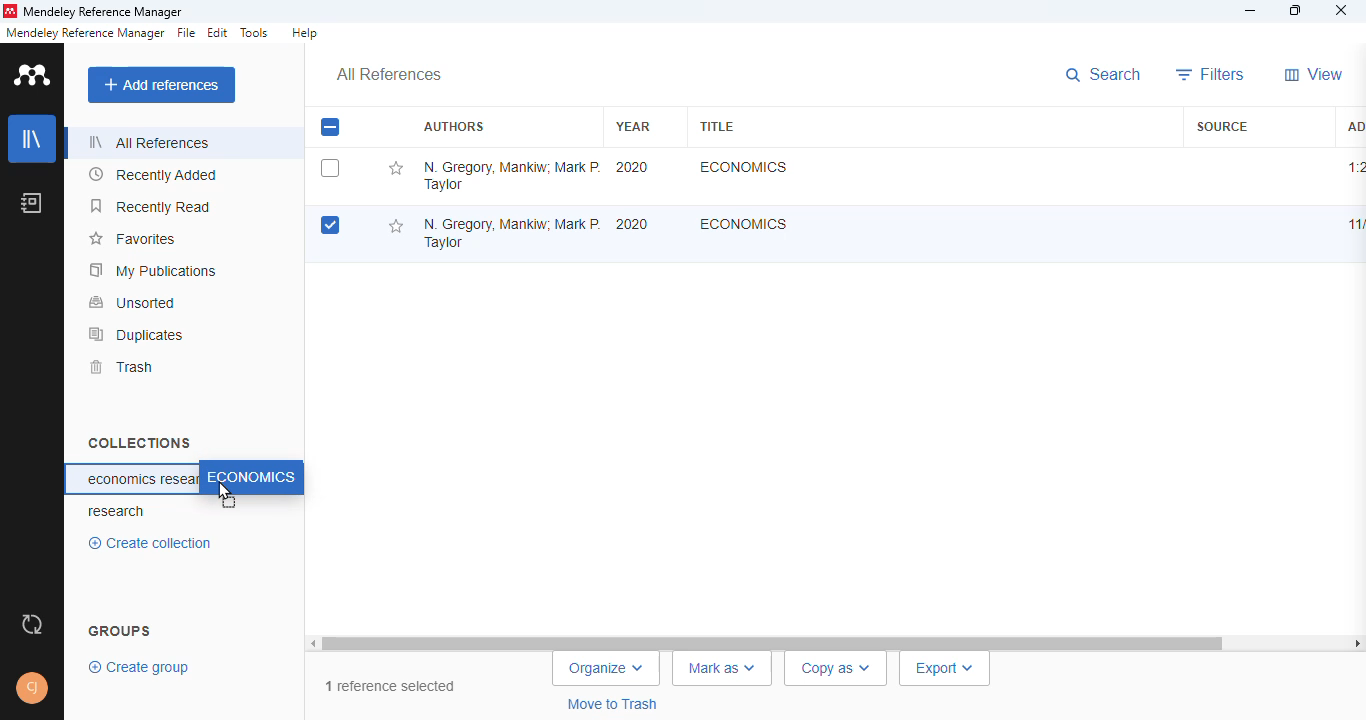 This screenshot has height=720, width=1366. I want to click on add this reference to favorites, so click(395, 227).